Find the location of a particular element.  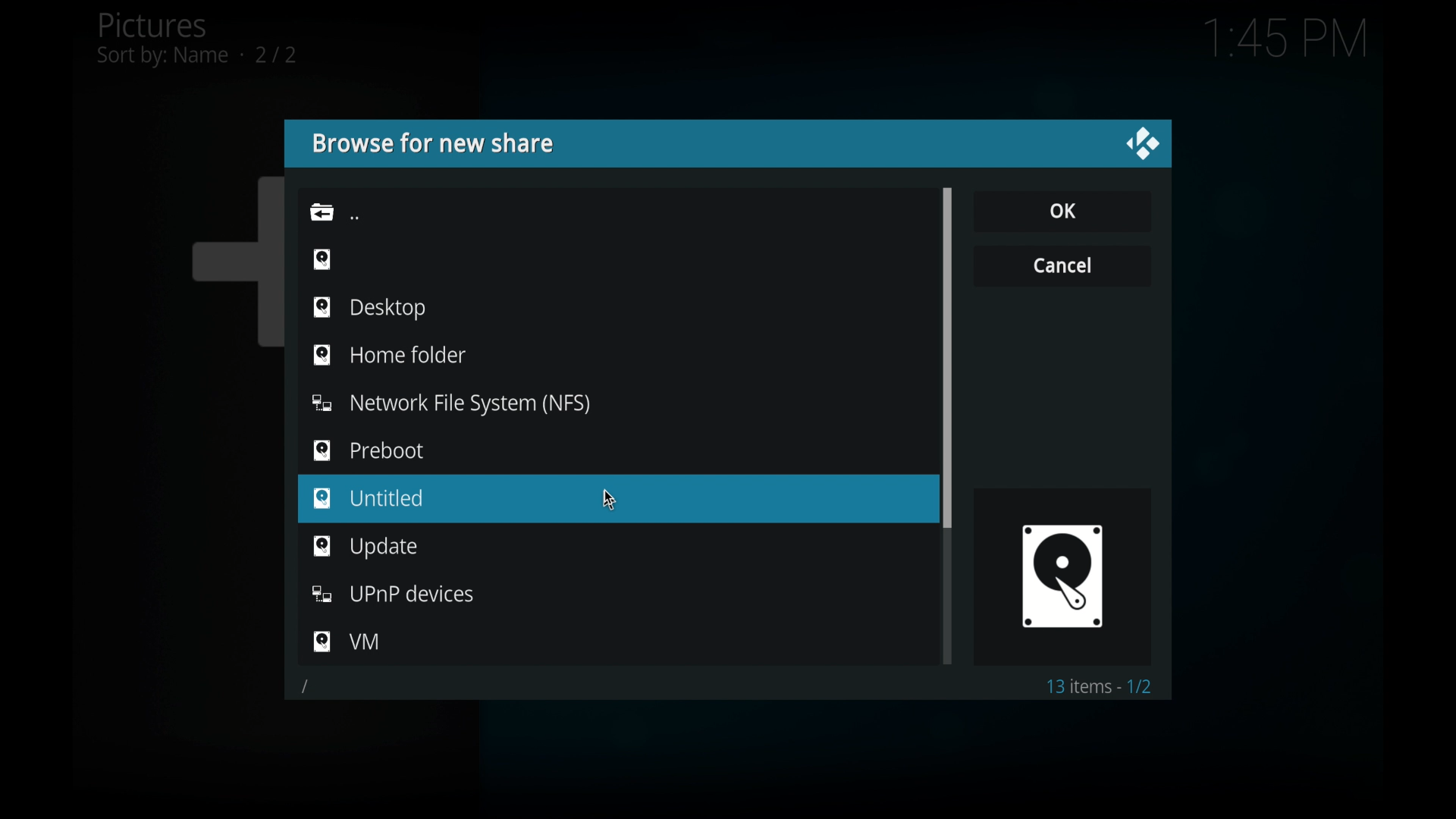

pictures is located at coordinates (196, 39).